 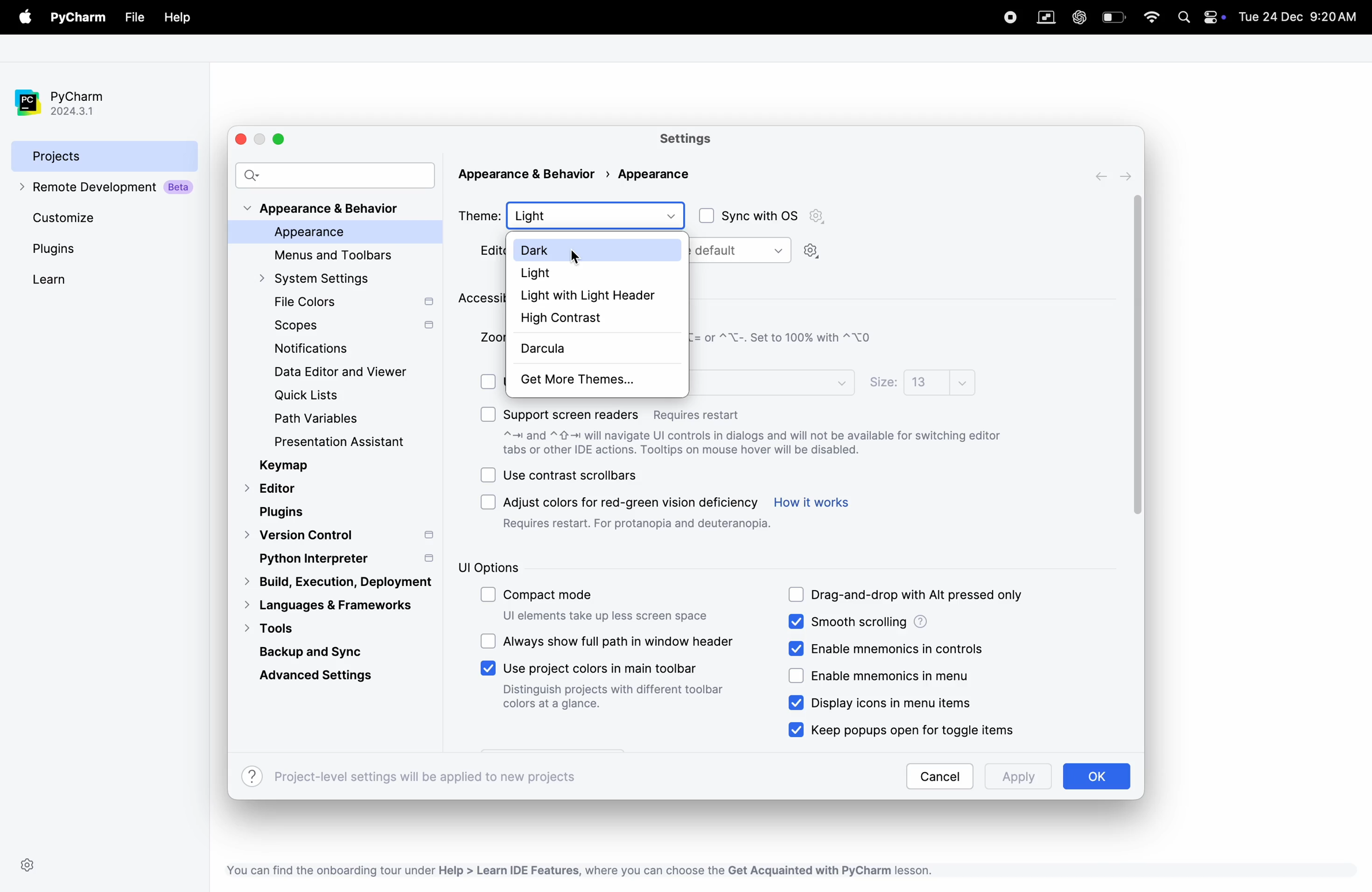 I want to click on sync with os, so click(x=775, y=216).